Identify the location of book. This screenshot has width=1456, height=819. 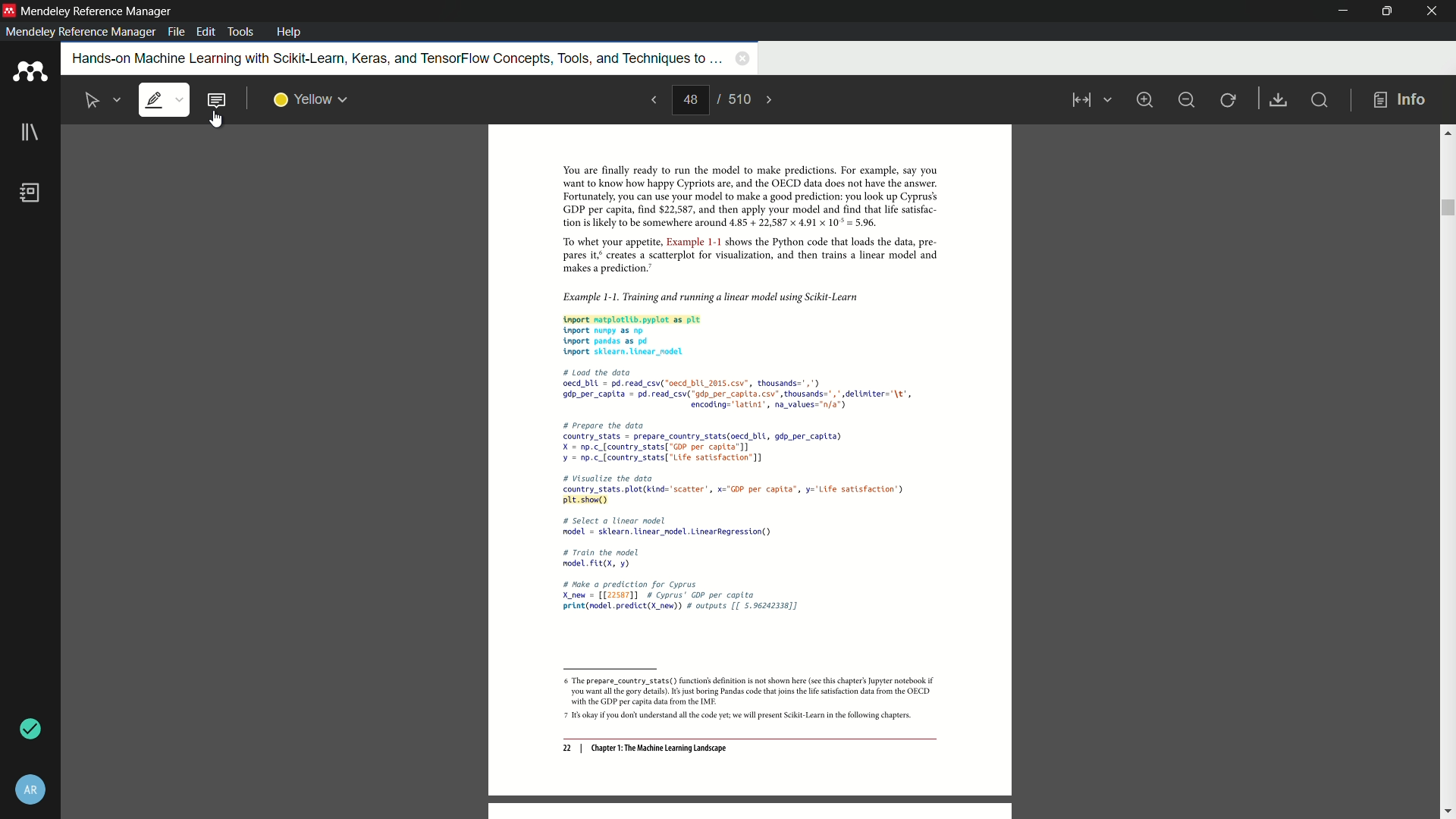
(31, 193).